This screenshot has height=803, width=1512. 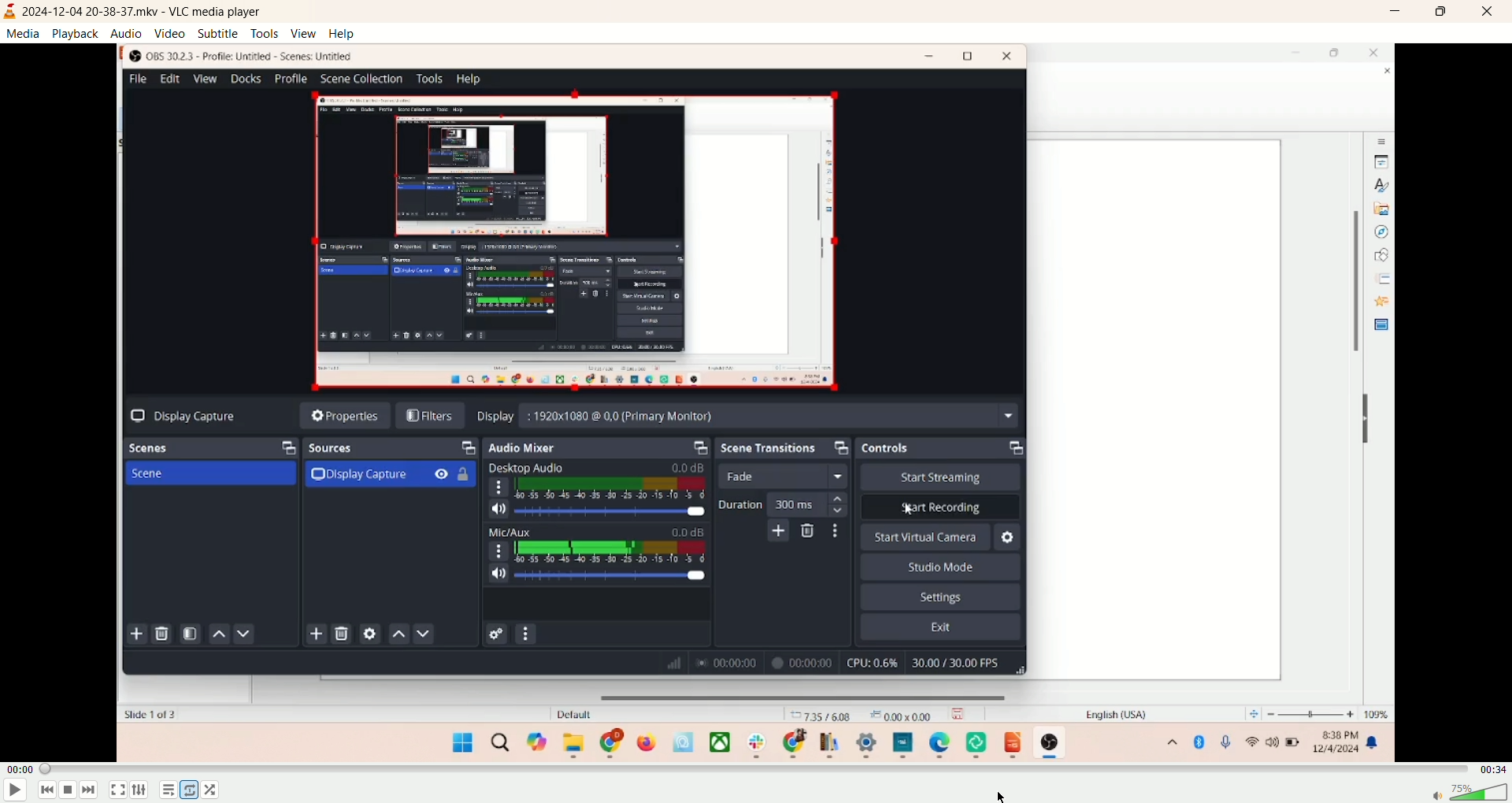 What do you see at coordinates (1490, 10) in the screenshot?
I see `close` at bounding box center [1490, 10].